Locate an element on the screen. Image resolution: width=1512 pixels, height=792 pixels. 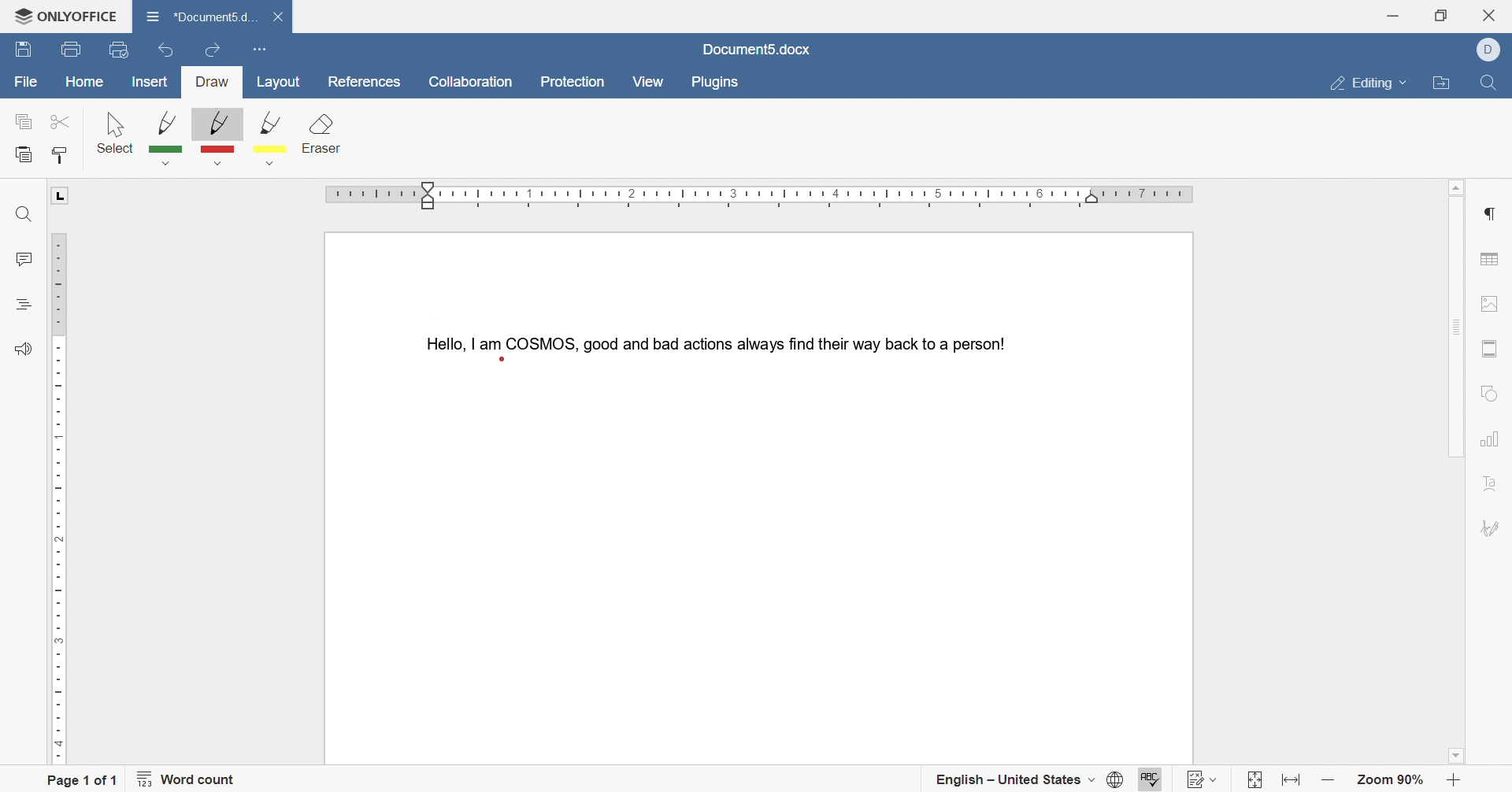
track changes is located at coordinates (1204, 776).